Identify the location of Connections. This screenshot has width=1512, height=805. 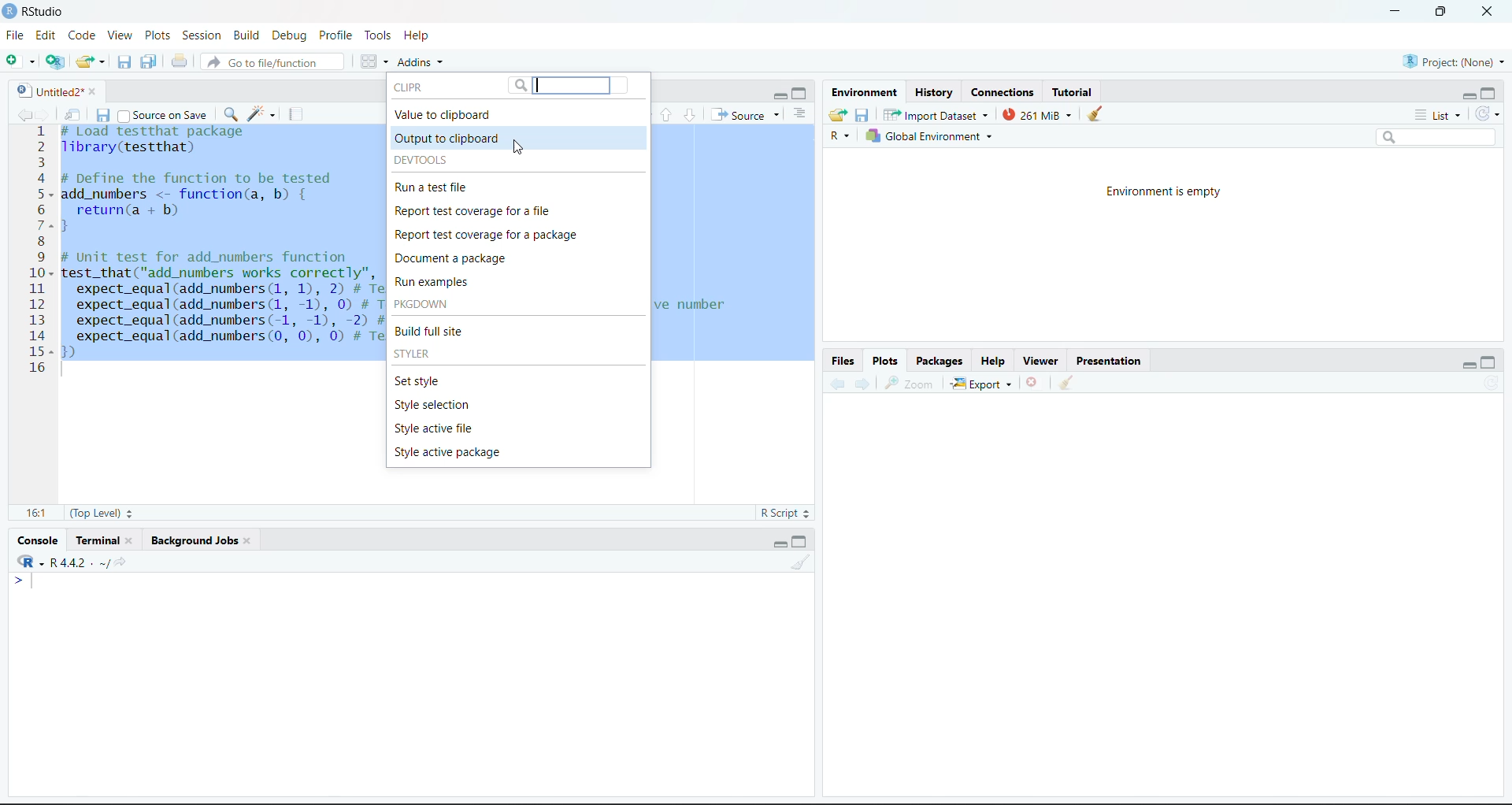
(1002, 91).